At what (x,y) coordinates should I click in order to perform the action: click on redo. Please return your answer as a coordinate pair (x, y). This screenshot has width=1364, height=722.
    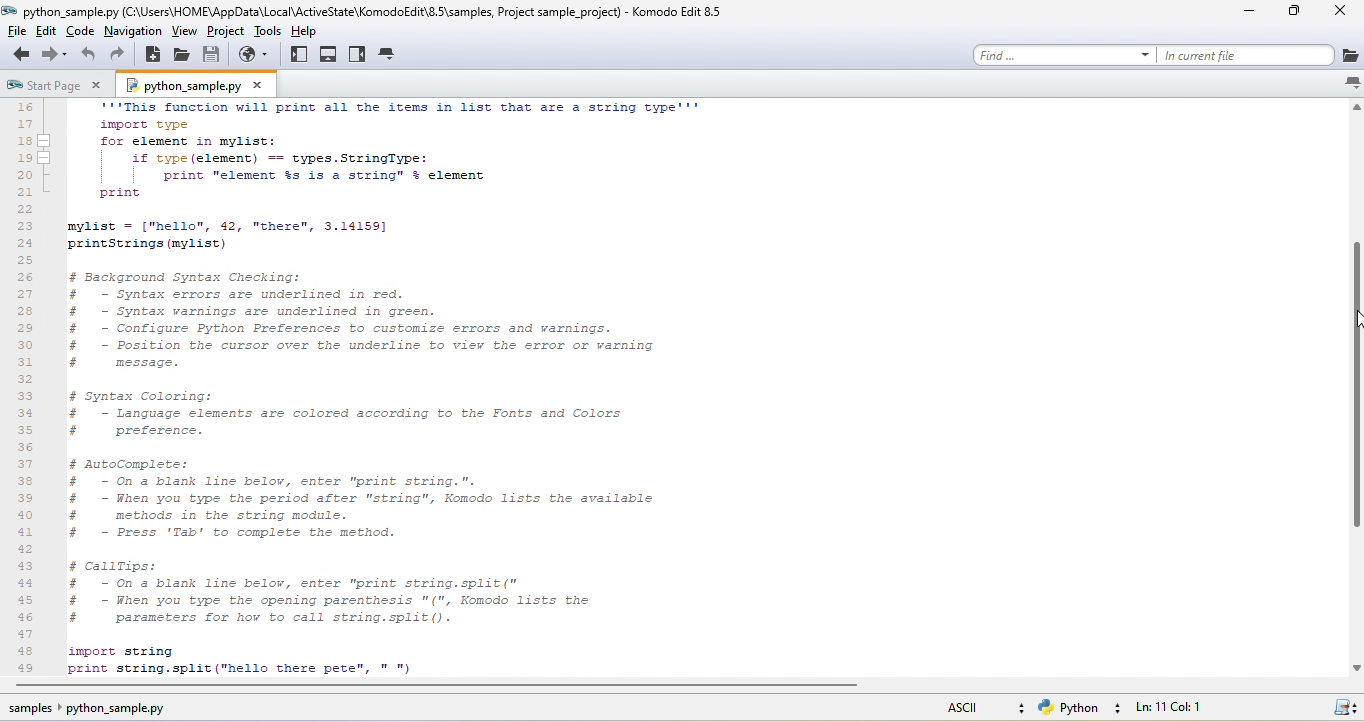
    Looking at the image, I should click on (119, 55).